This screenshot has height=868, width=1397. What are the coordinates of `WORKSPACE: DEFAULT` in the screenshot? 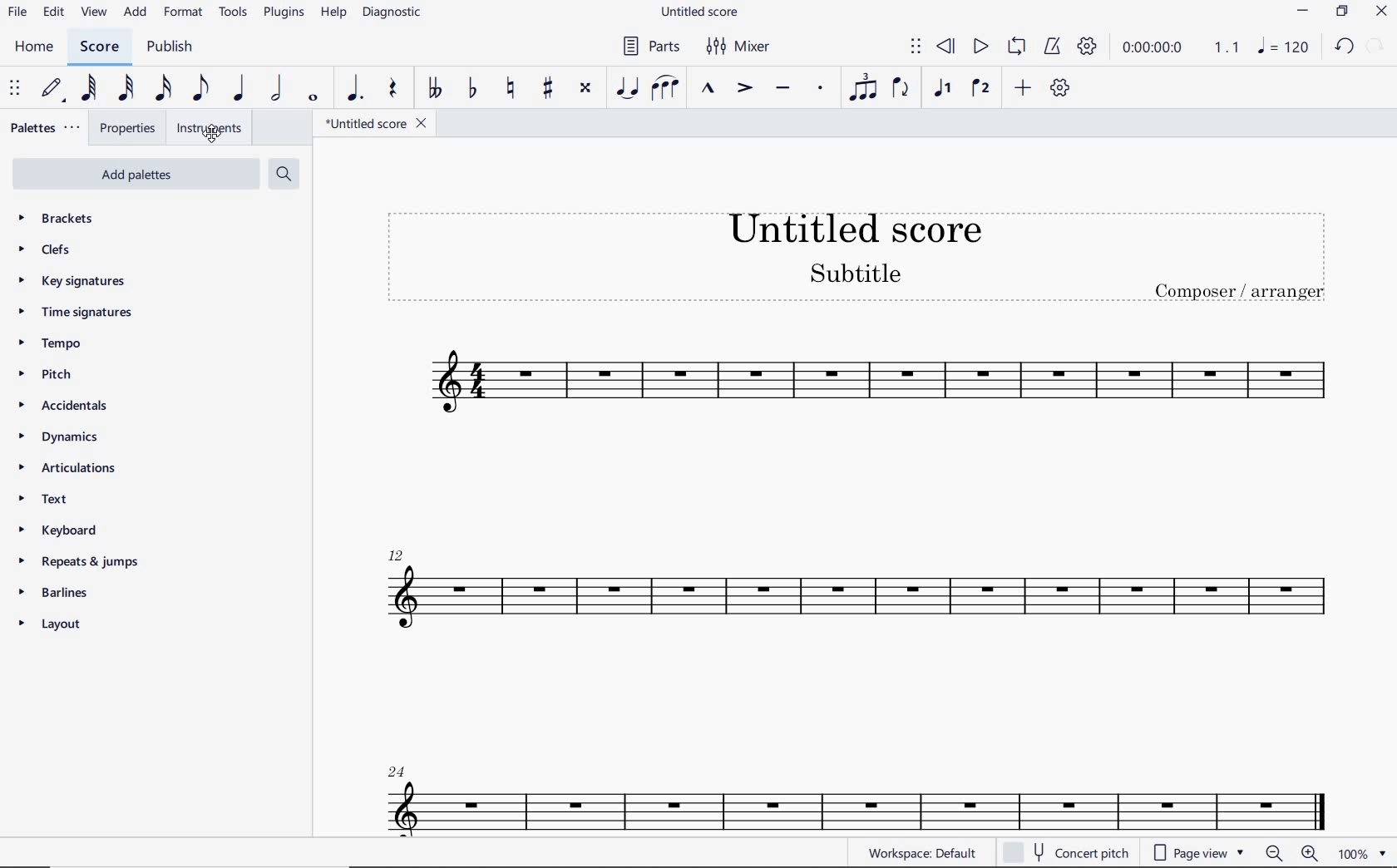 It's located at (926, 853).